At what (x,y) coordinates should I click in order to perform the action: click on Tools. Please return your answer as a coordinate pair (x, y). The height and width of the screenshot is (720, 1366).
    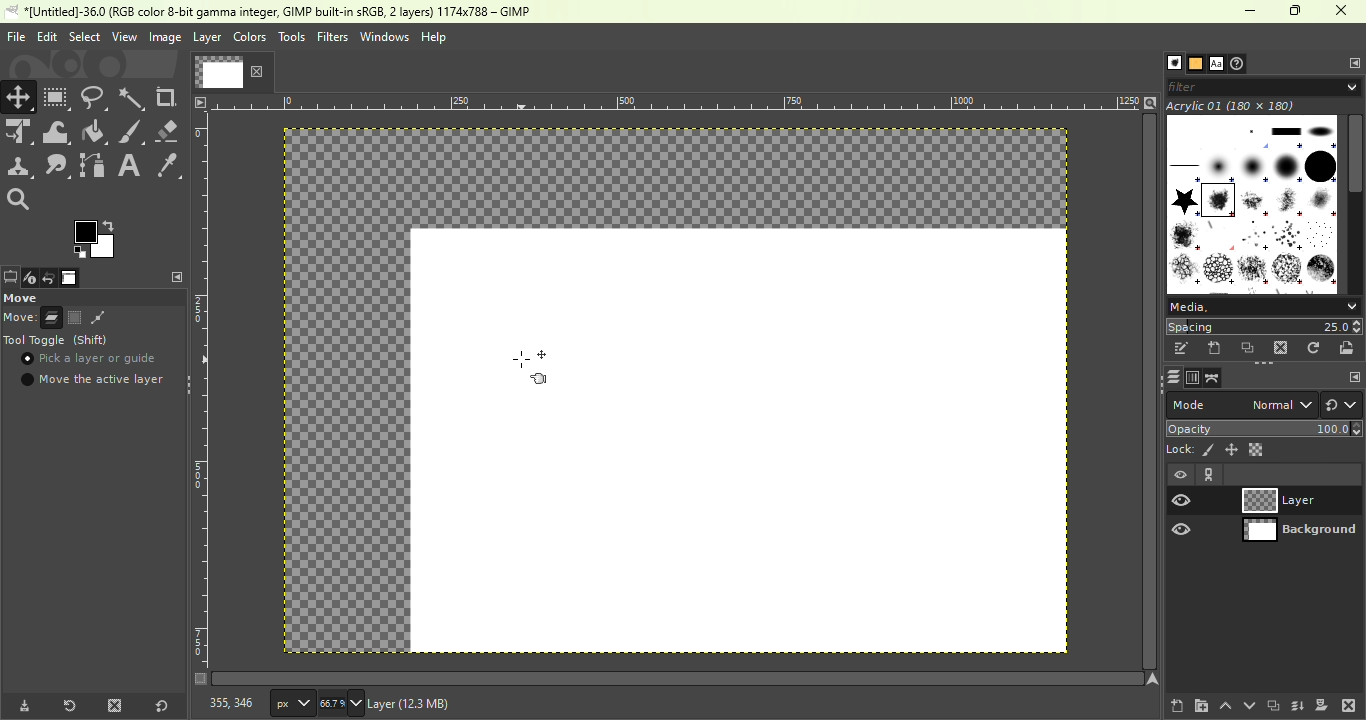
    Looking at the image, I should click on (291, 37).